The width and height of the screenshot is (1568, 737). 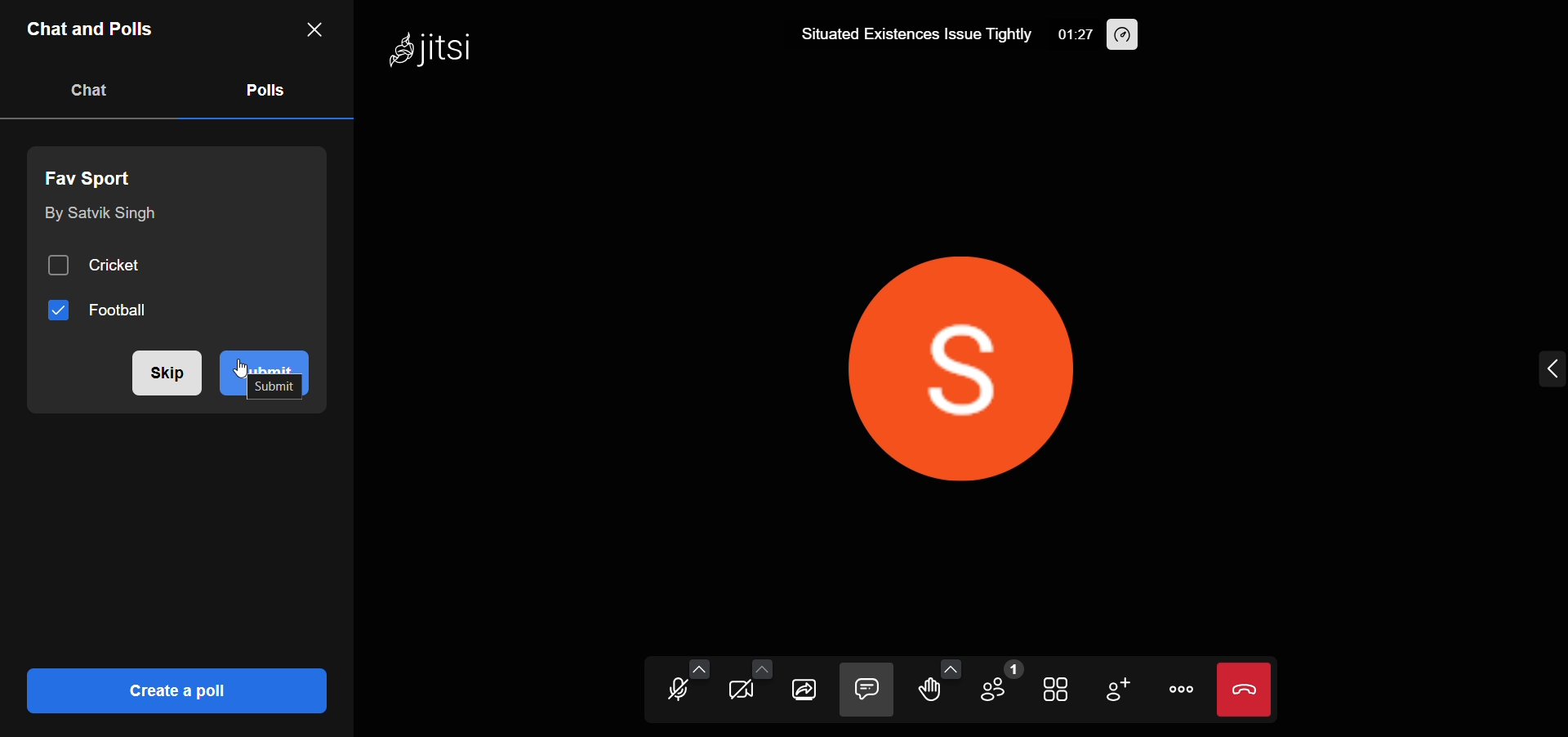 What do you see at coordinates (931, 692) in the screenshot?
I see `raise hand` at bounding box center [931, 692].